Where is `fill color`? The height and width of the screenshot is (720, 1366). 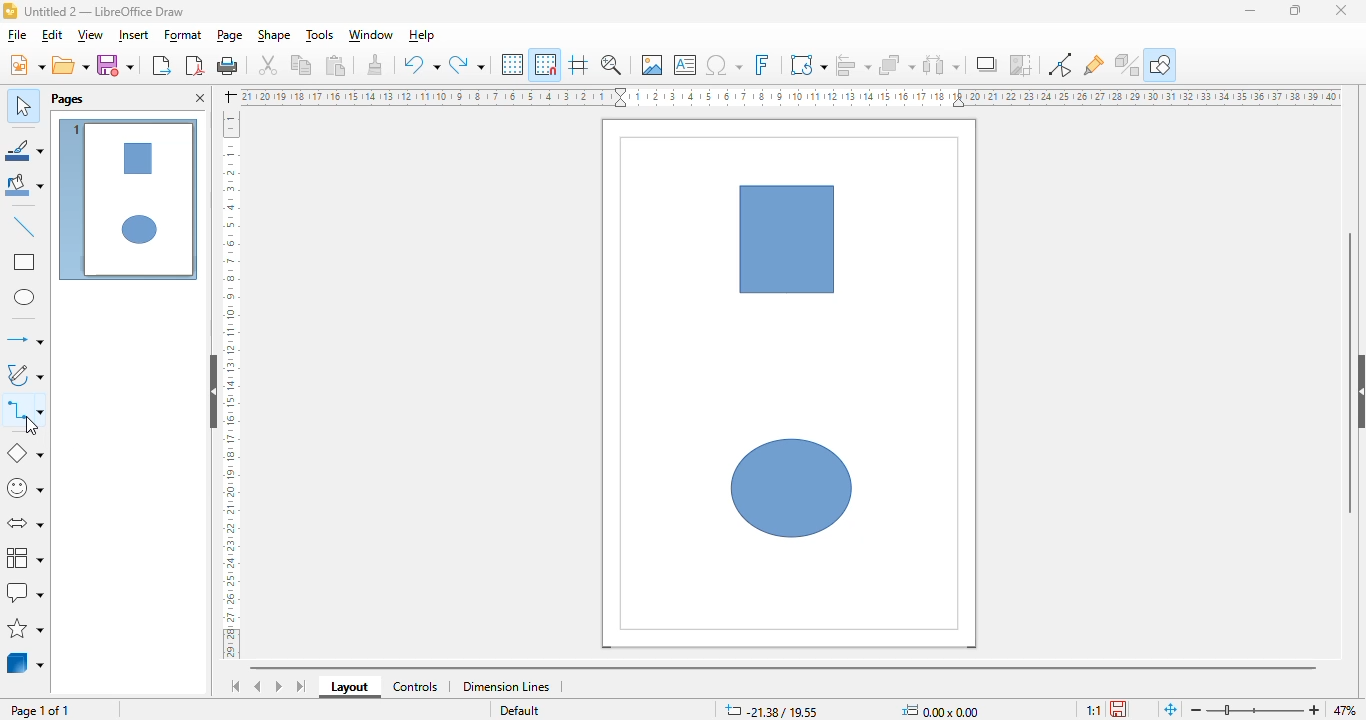
fill color is located at coordinates (25, 187).